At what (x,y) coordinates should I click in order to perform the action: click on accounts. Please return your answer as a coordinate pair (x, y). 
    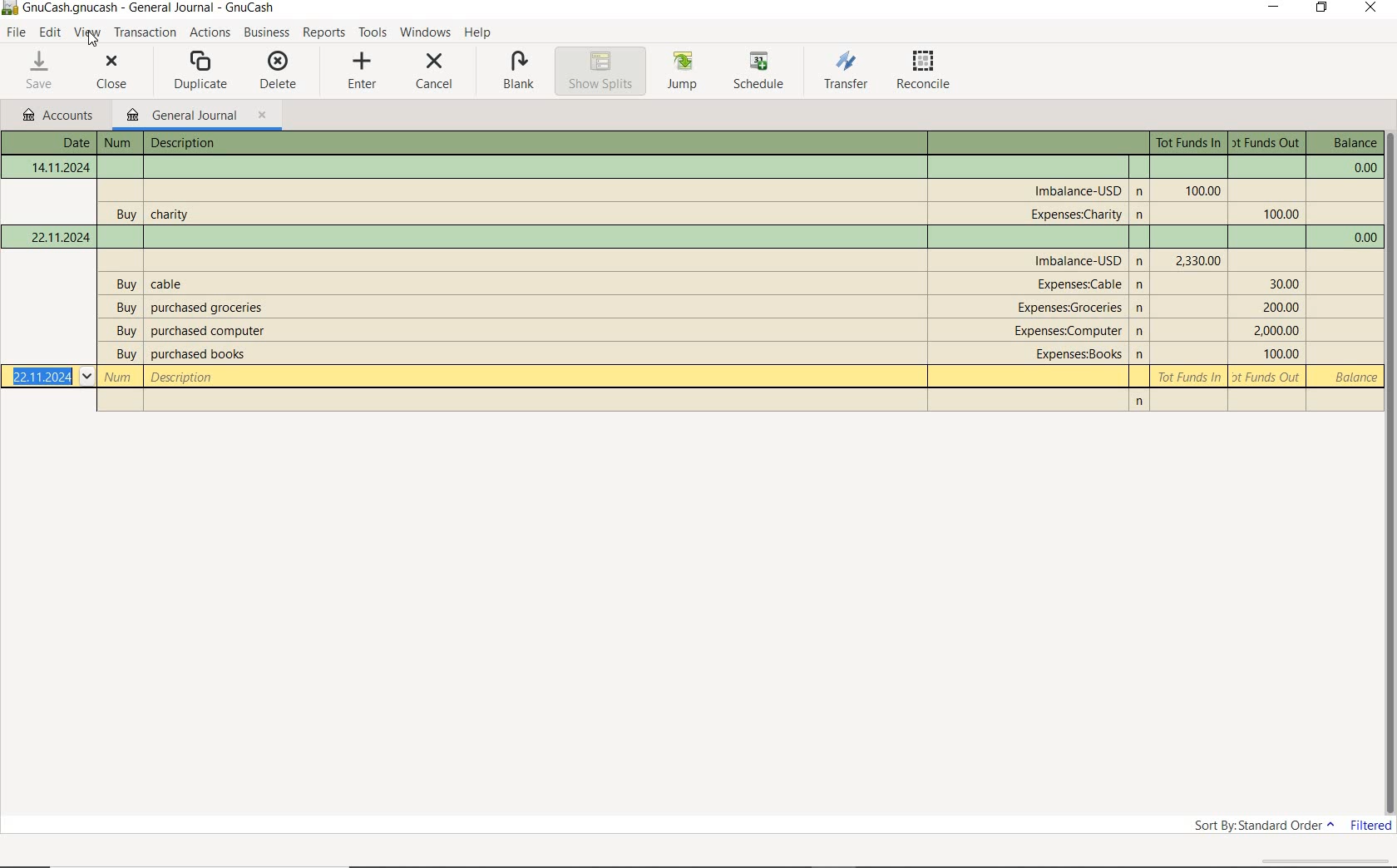
    Looking at the image, I should click on (60, 116).